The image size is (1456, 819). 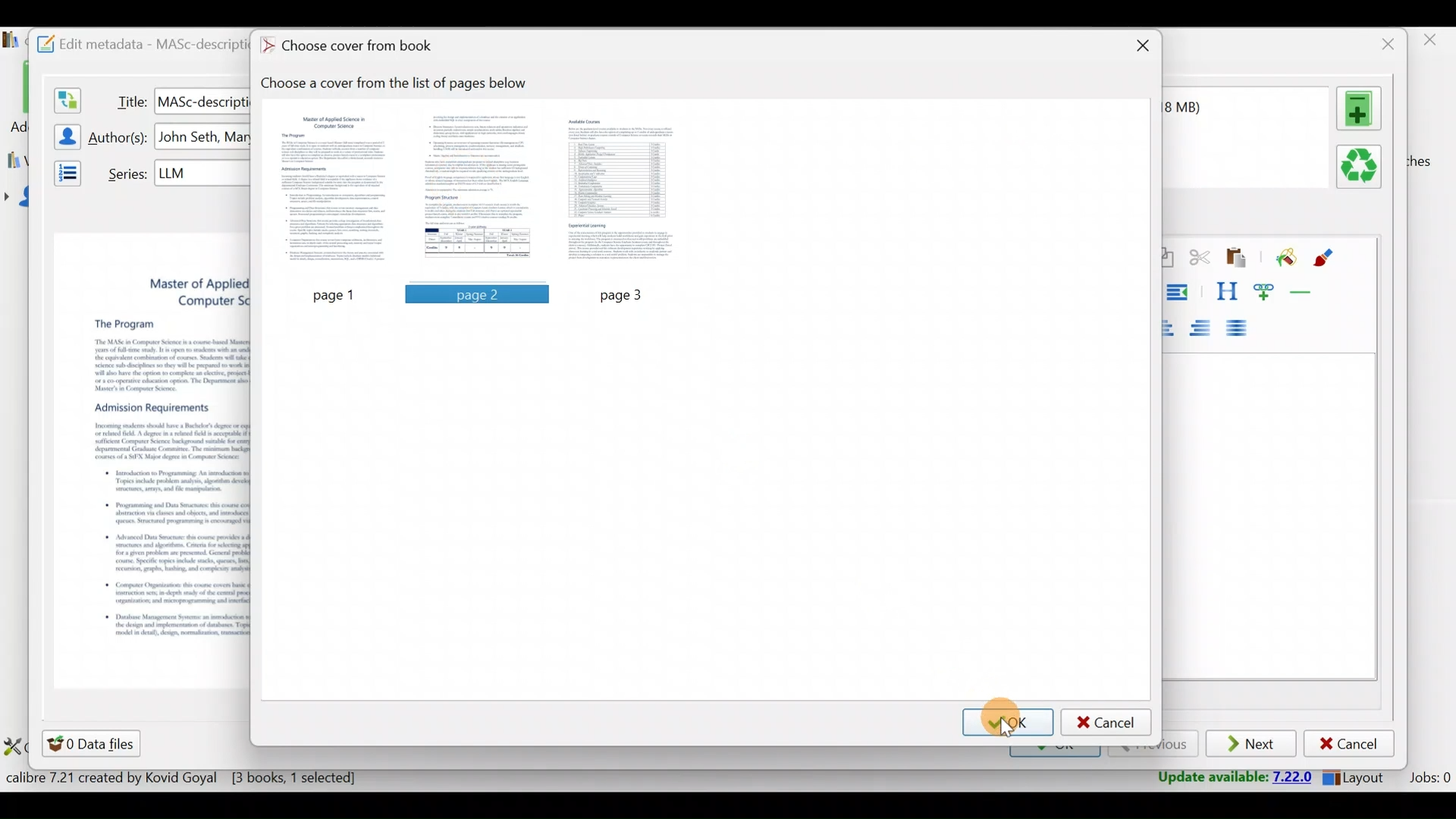 What do you see at coordinates (337, 191) in the screenshot?
I see `Page 1` at bounding box center [337, 191].